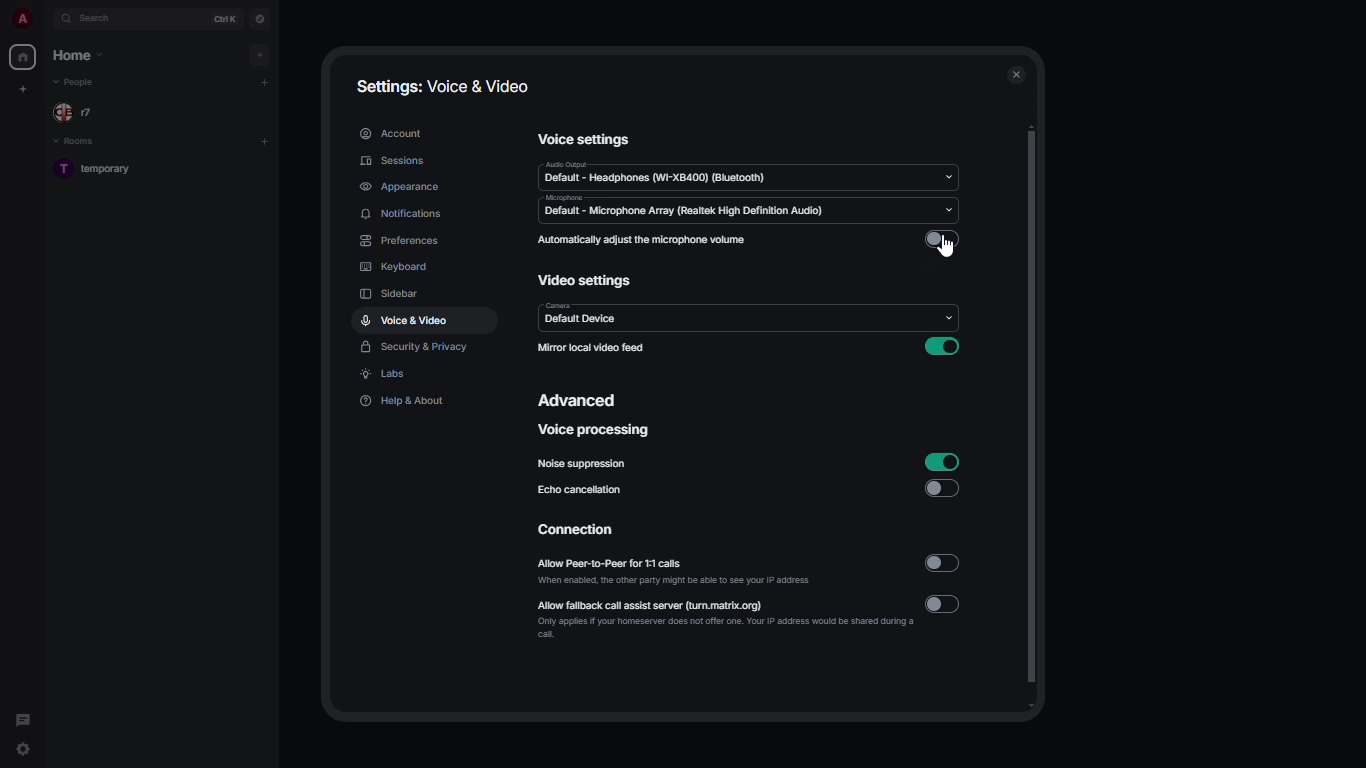  What do you see at coordinates (593, 430) in the screenshot?
I see `voice processing` at bounding box center [593, 430].